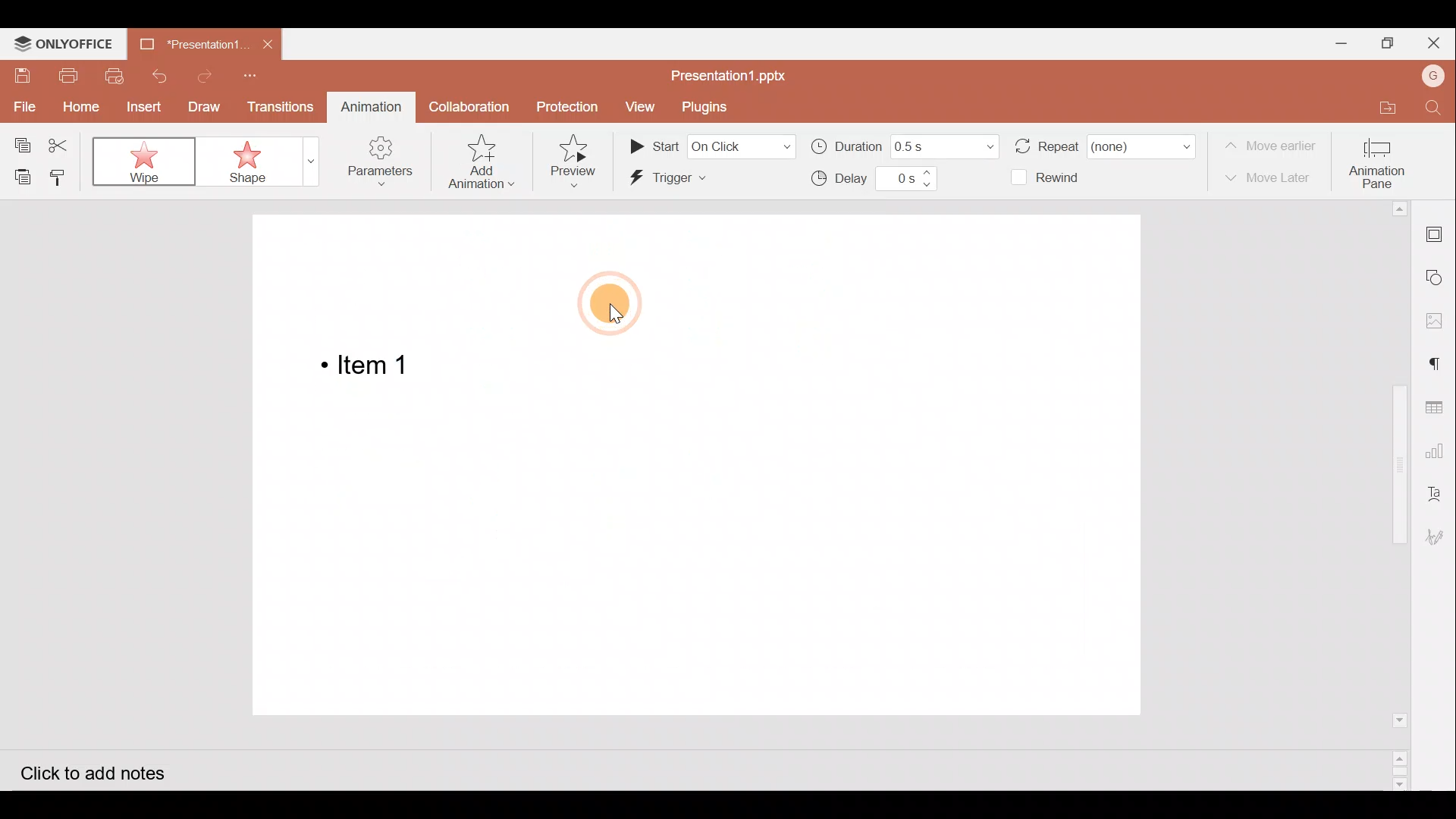 The image size is (1456, 819). What do you see at coordinates (1439, 275) in the screenshot?
I see `Shapes settings` at bounding box center [1439, 275].